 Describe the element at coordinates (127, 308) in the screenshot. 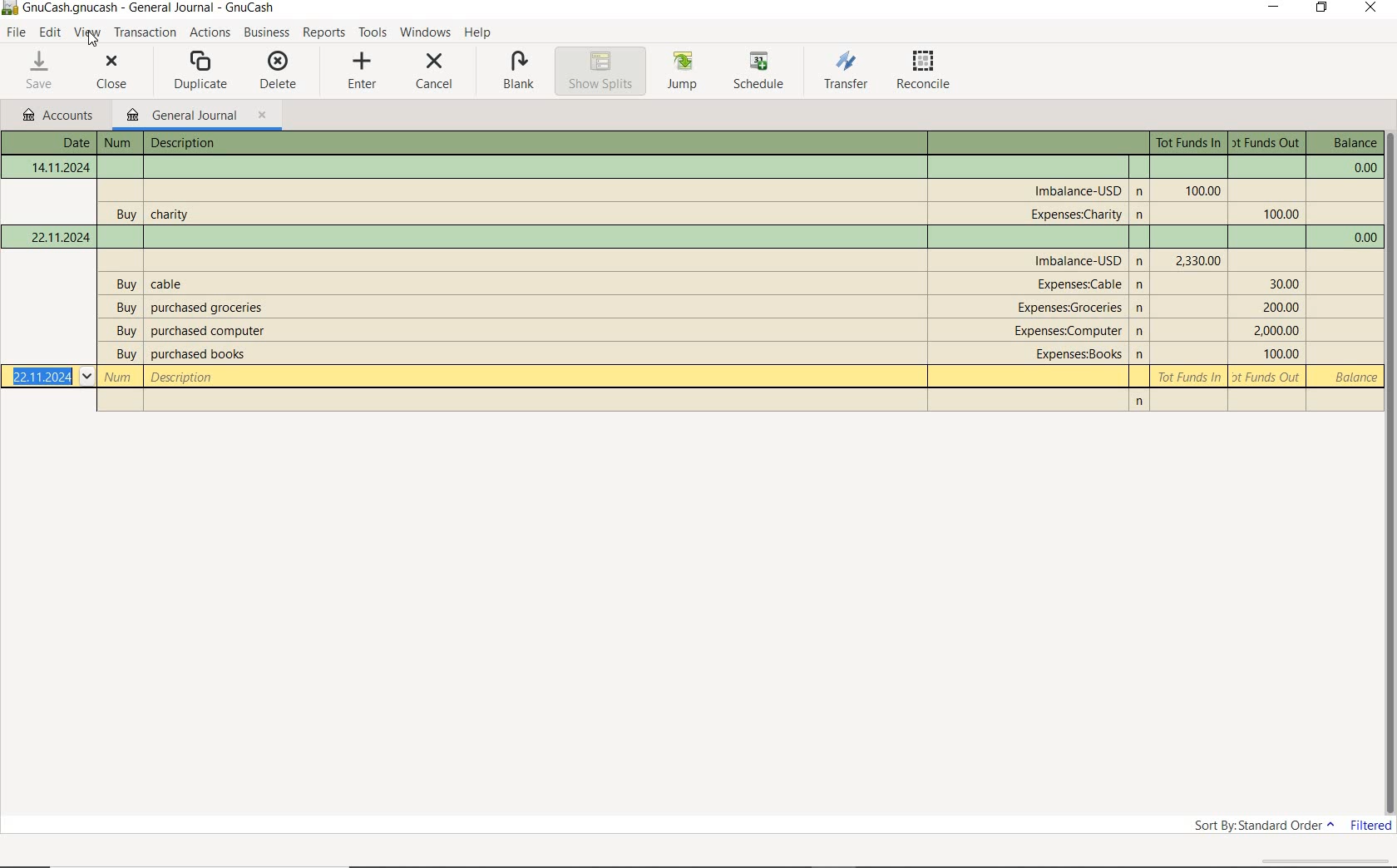

I see `buy` at that location.